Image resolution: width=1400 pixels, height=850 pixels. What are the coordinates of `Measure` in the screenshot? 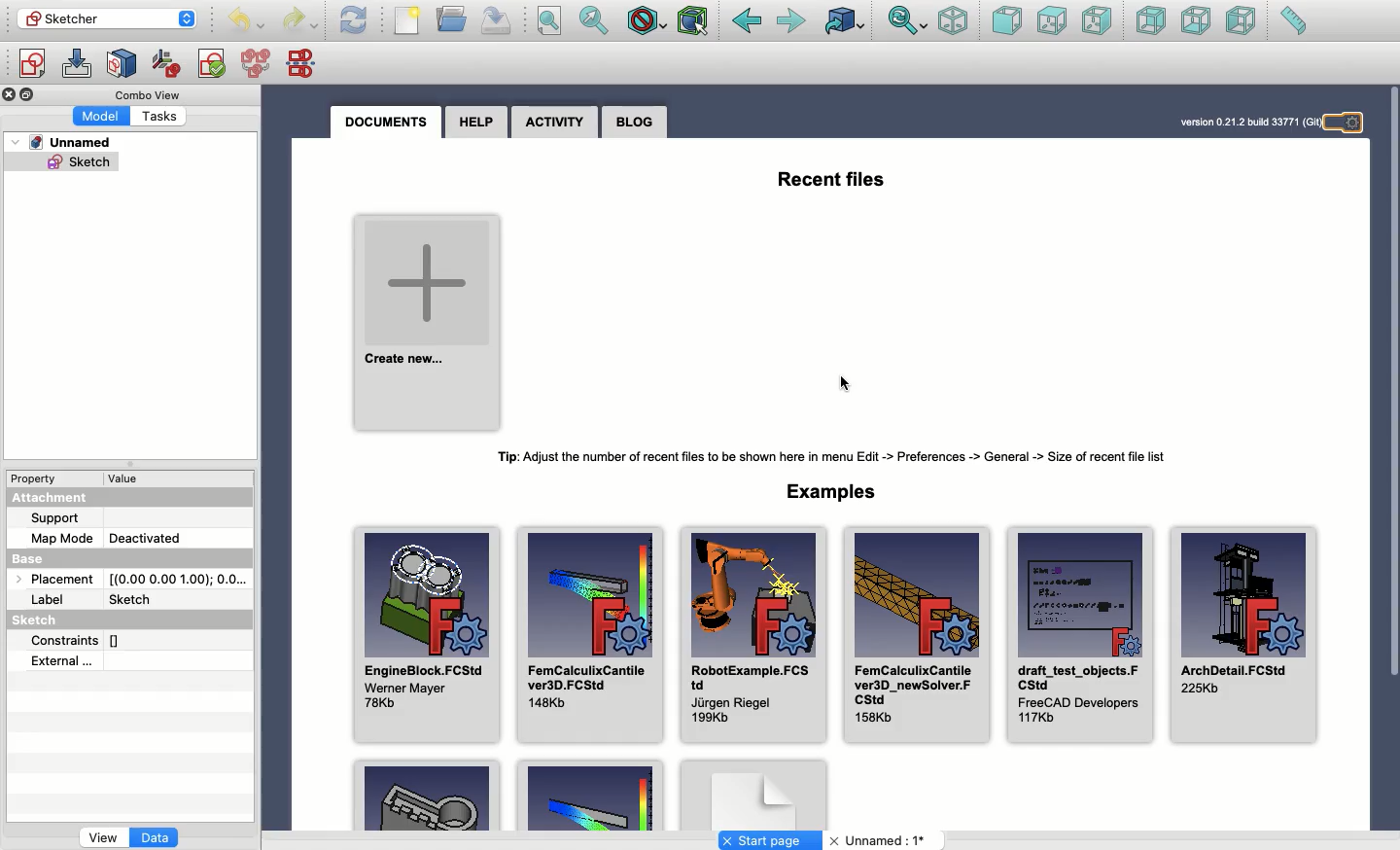 It's located at (1293, 22).